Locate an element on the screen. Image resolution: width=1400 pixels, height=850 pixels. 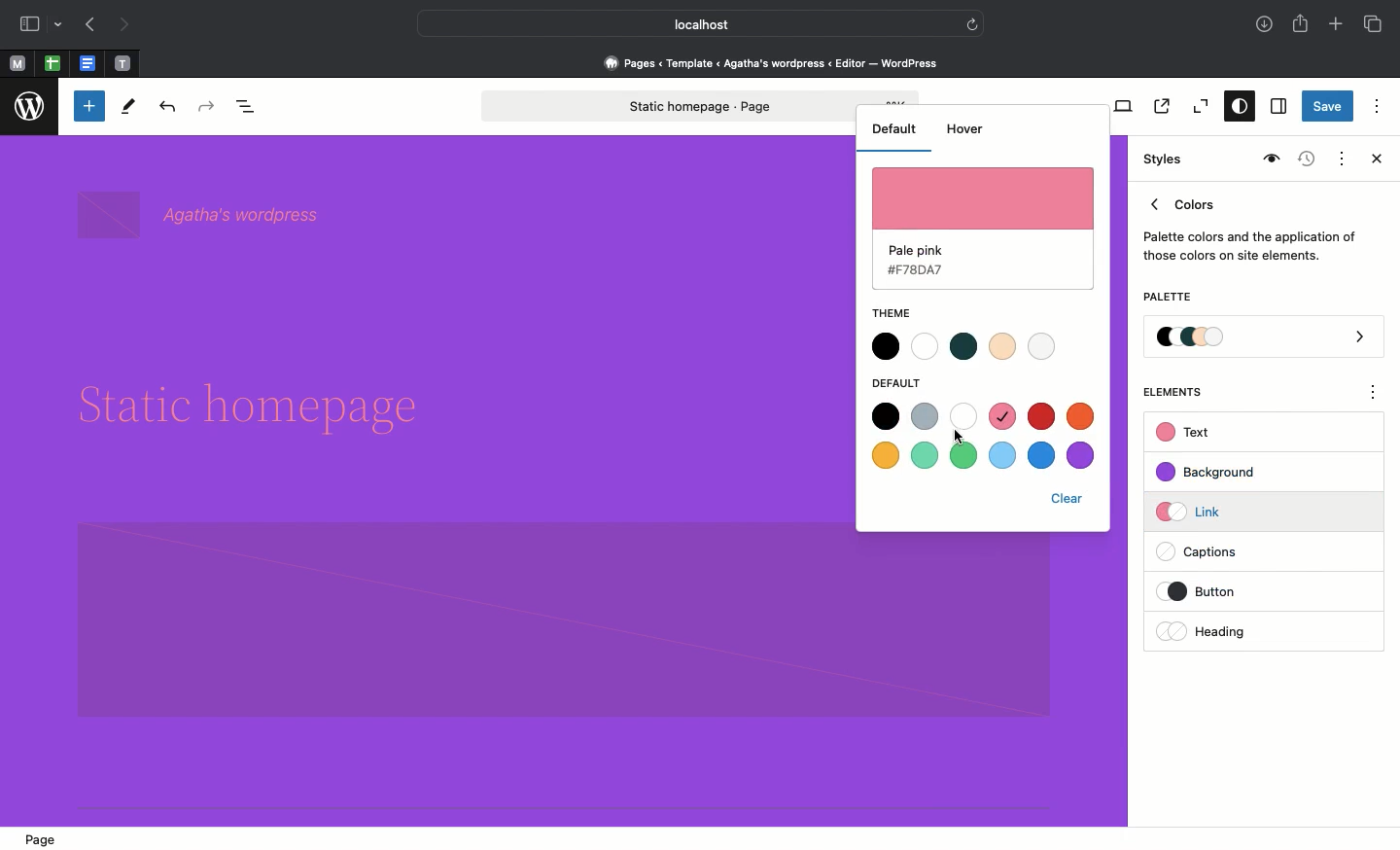
Next page is located at coordinates (124, 25).